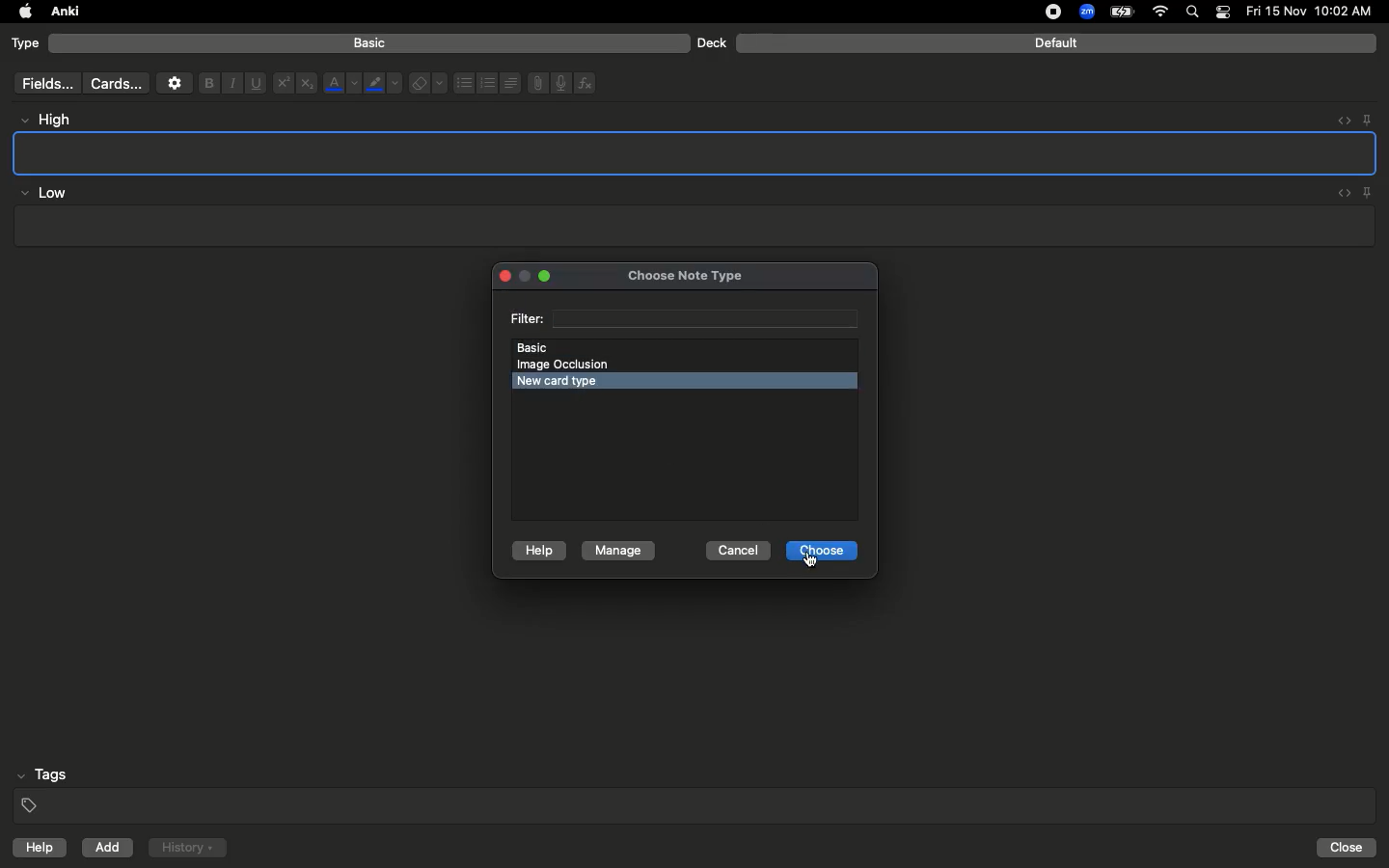  I want to click on apple logo, so click(20, 12).